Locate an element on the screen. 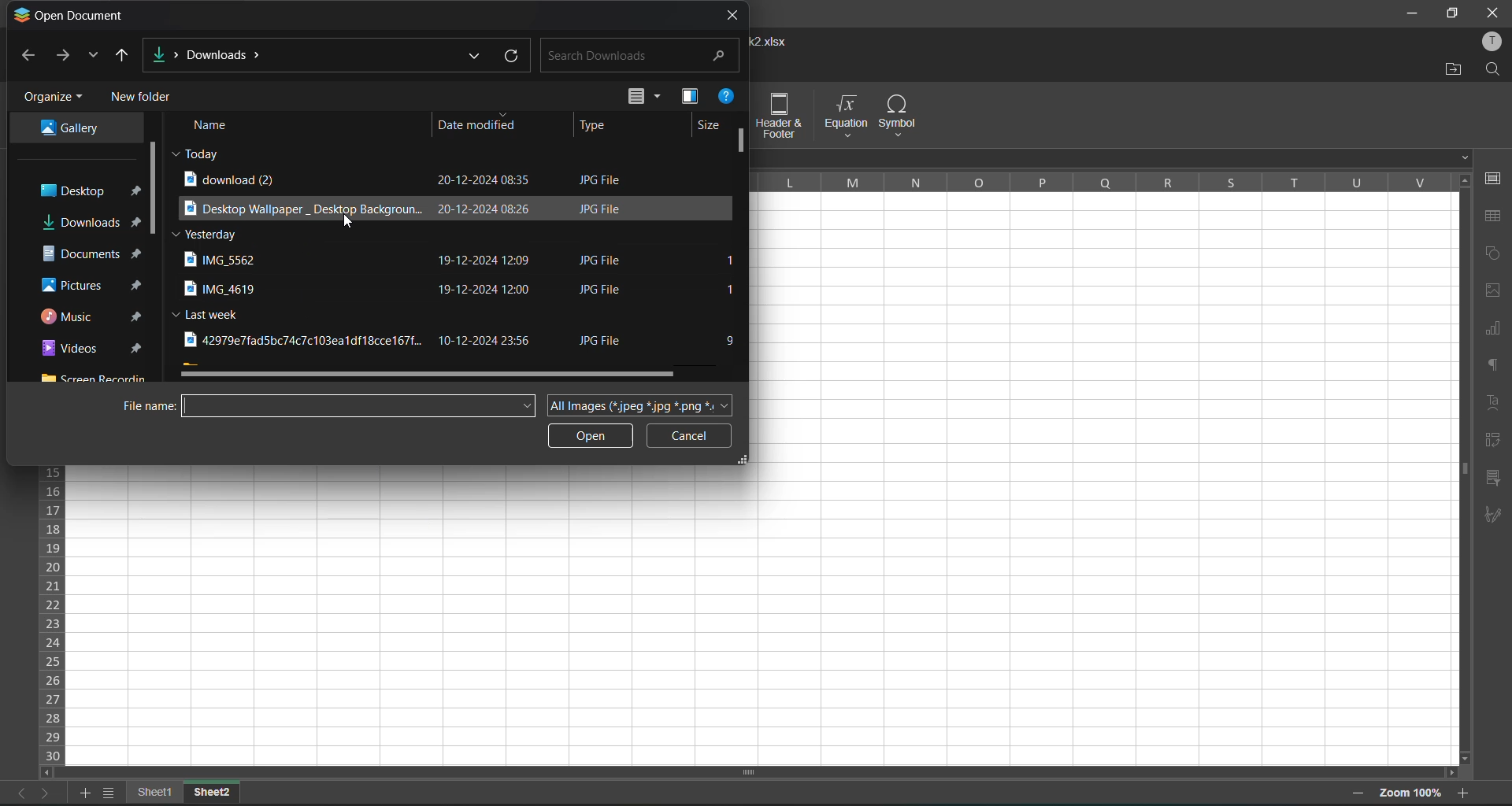 The image size is (1512, 806). up to desktop is located at coordinates (127, 54).